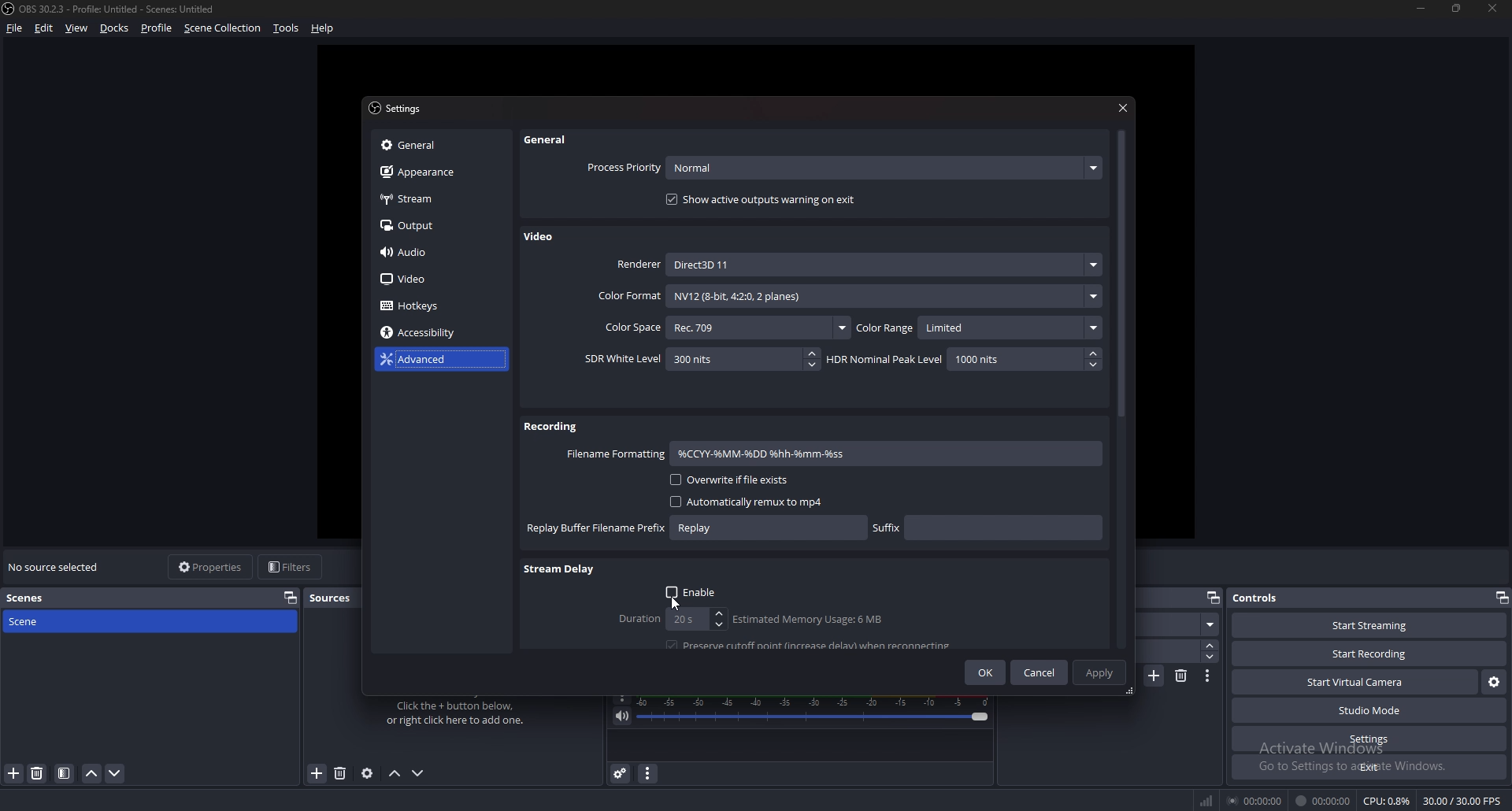 This screenshot has height=811, width=1512. I want to click on Appearance, so click(434, 172).